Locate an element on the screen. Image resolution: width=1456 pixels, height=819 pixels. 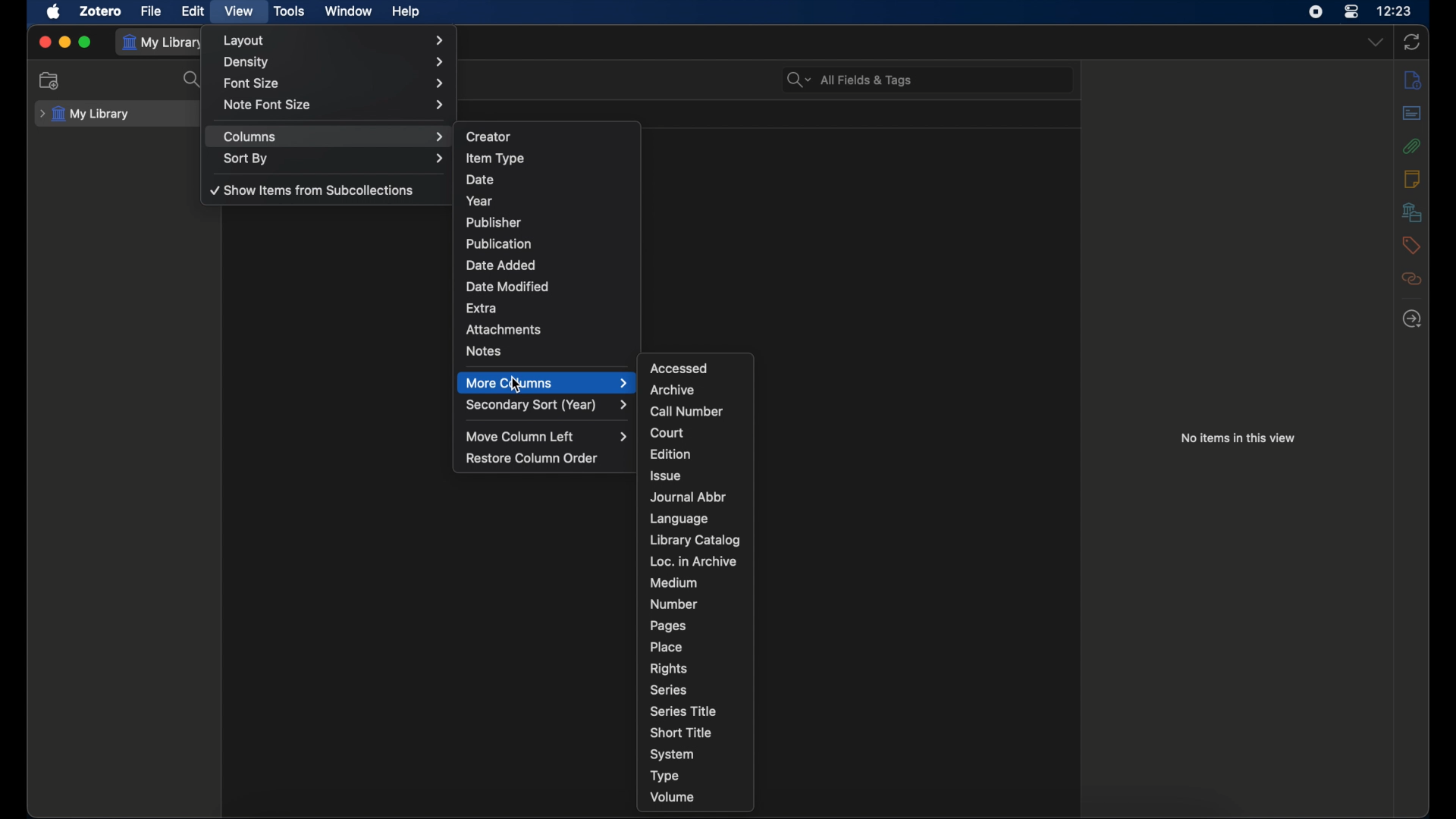
type is located at coordinates (665, 777).